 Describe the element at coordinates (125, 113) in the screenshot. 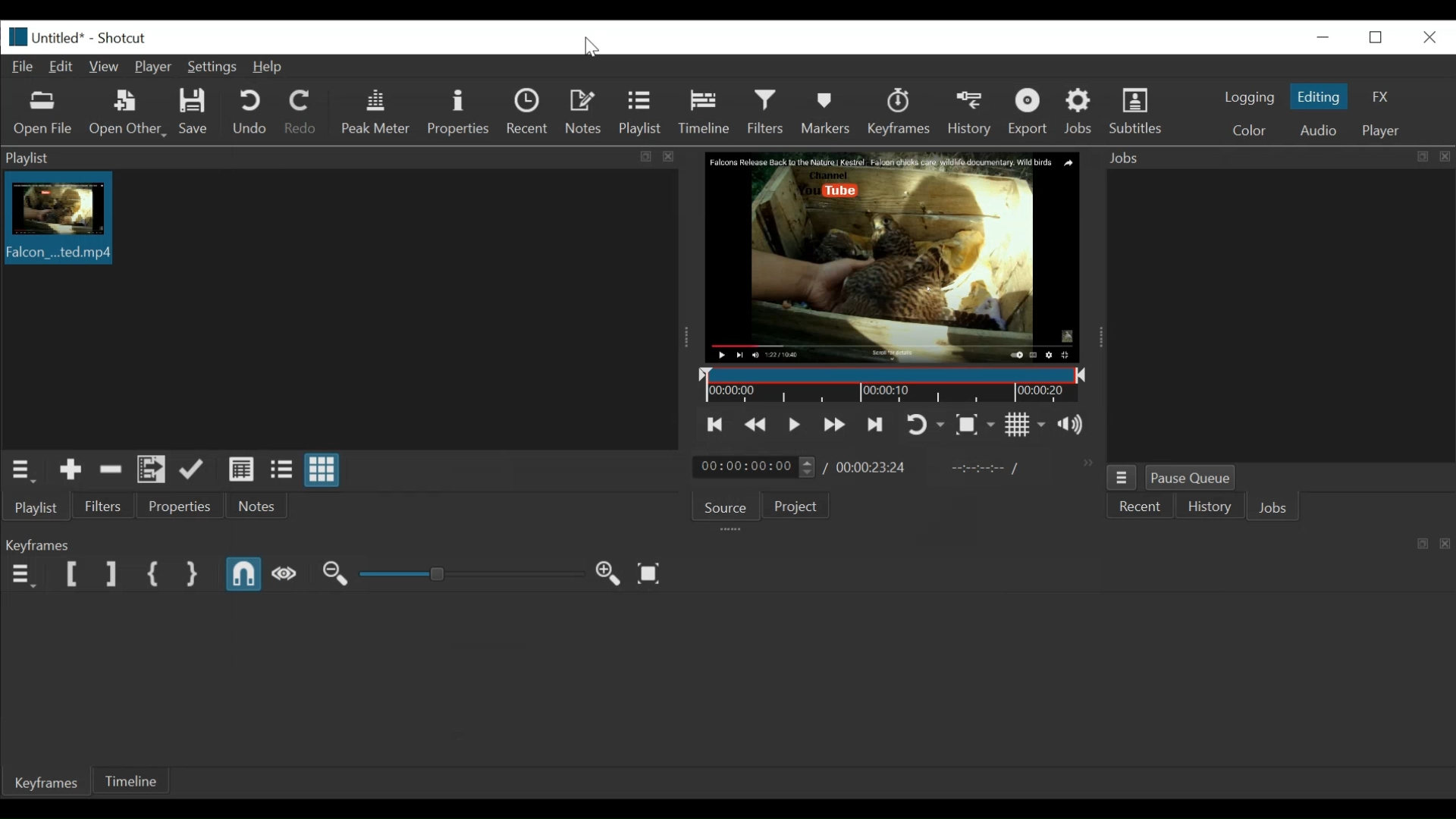

I see `Open Other` at that location.